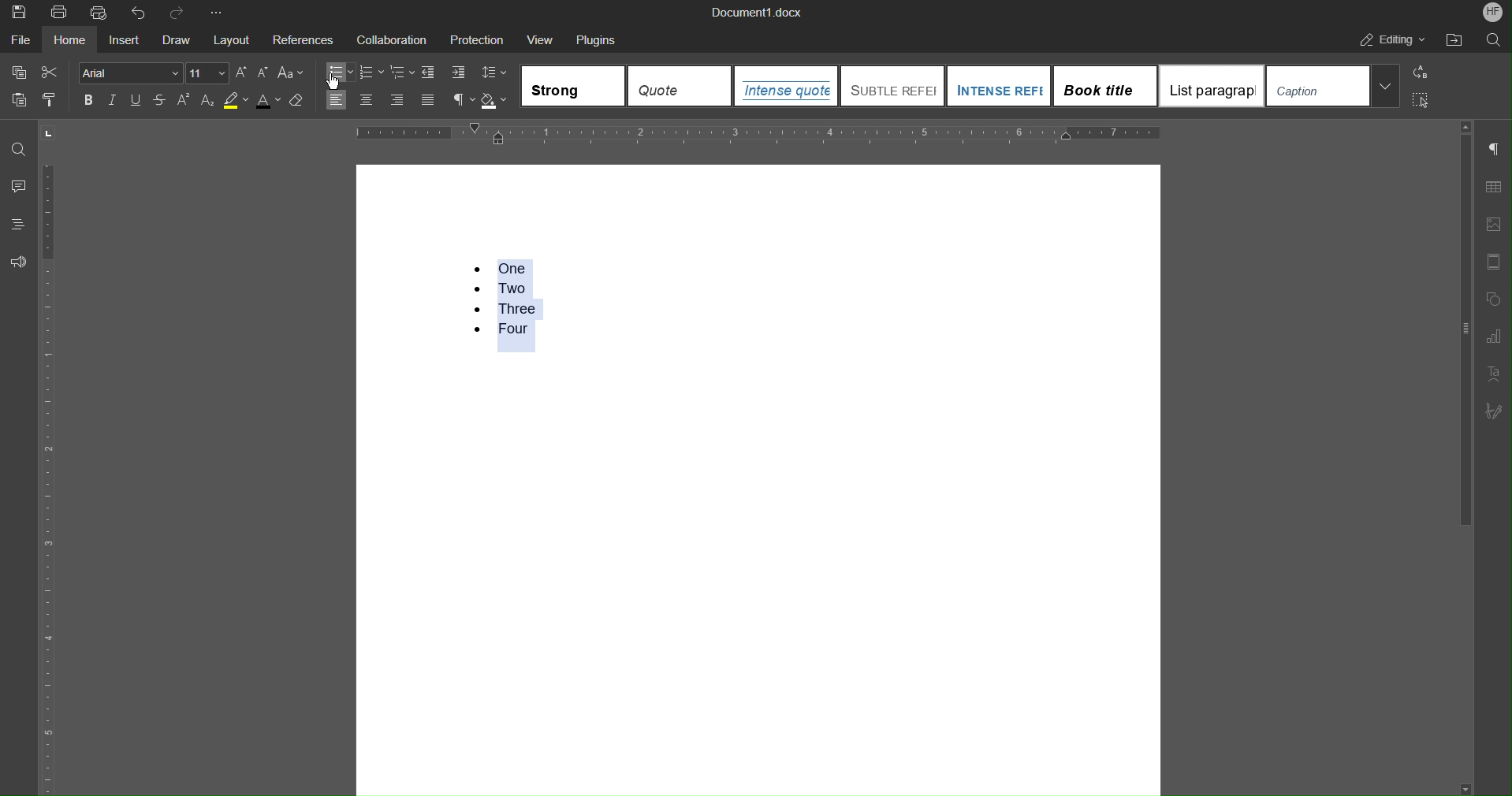 Image resolution: width=1512 pixels, height=796 pixels. I want to click on Select All, so click(1420, 102).